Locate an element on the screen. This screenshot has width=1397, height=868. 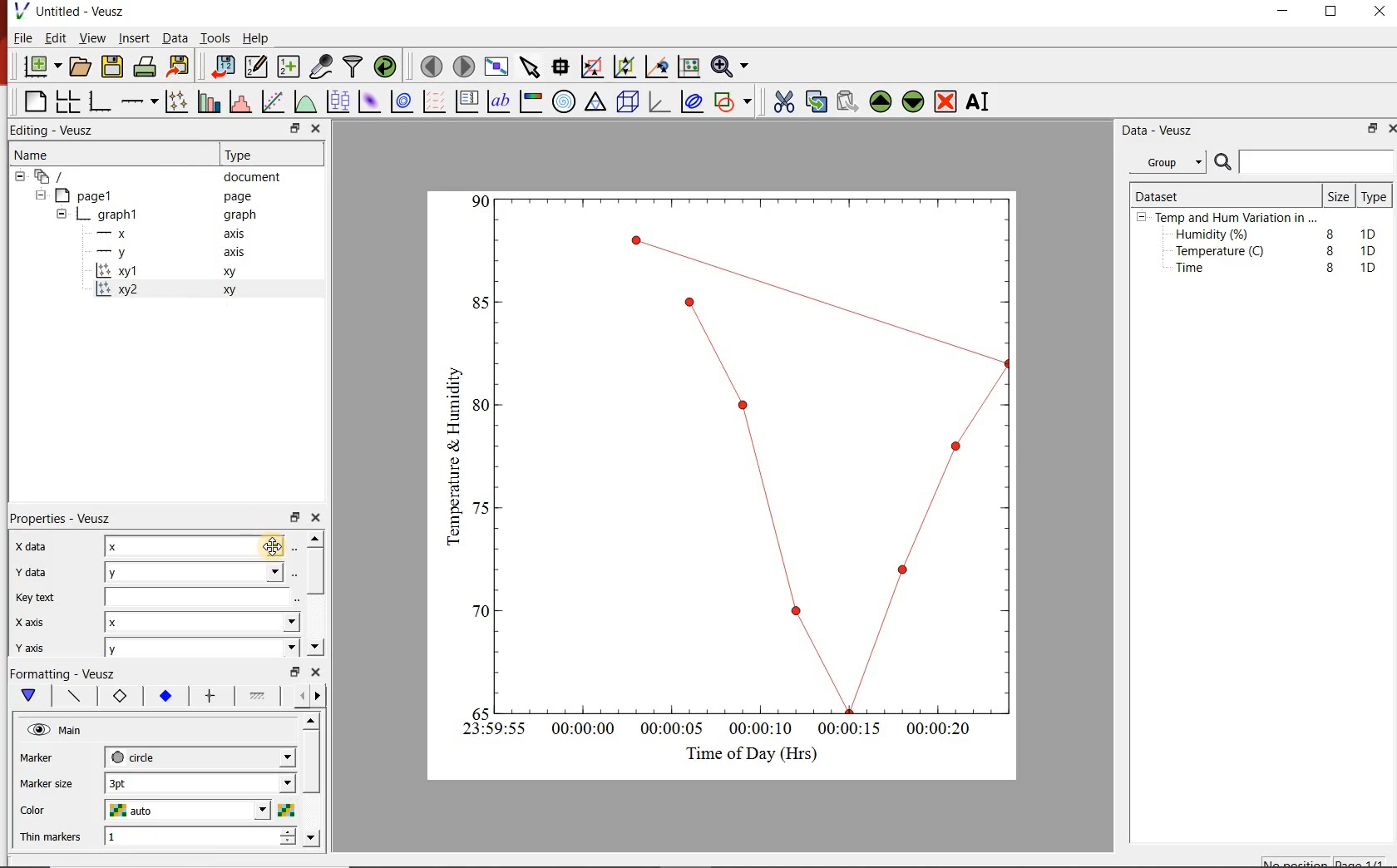
y axis dropdown is located at coordinates (259, 650).